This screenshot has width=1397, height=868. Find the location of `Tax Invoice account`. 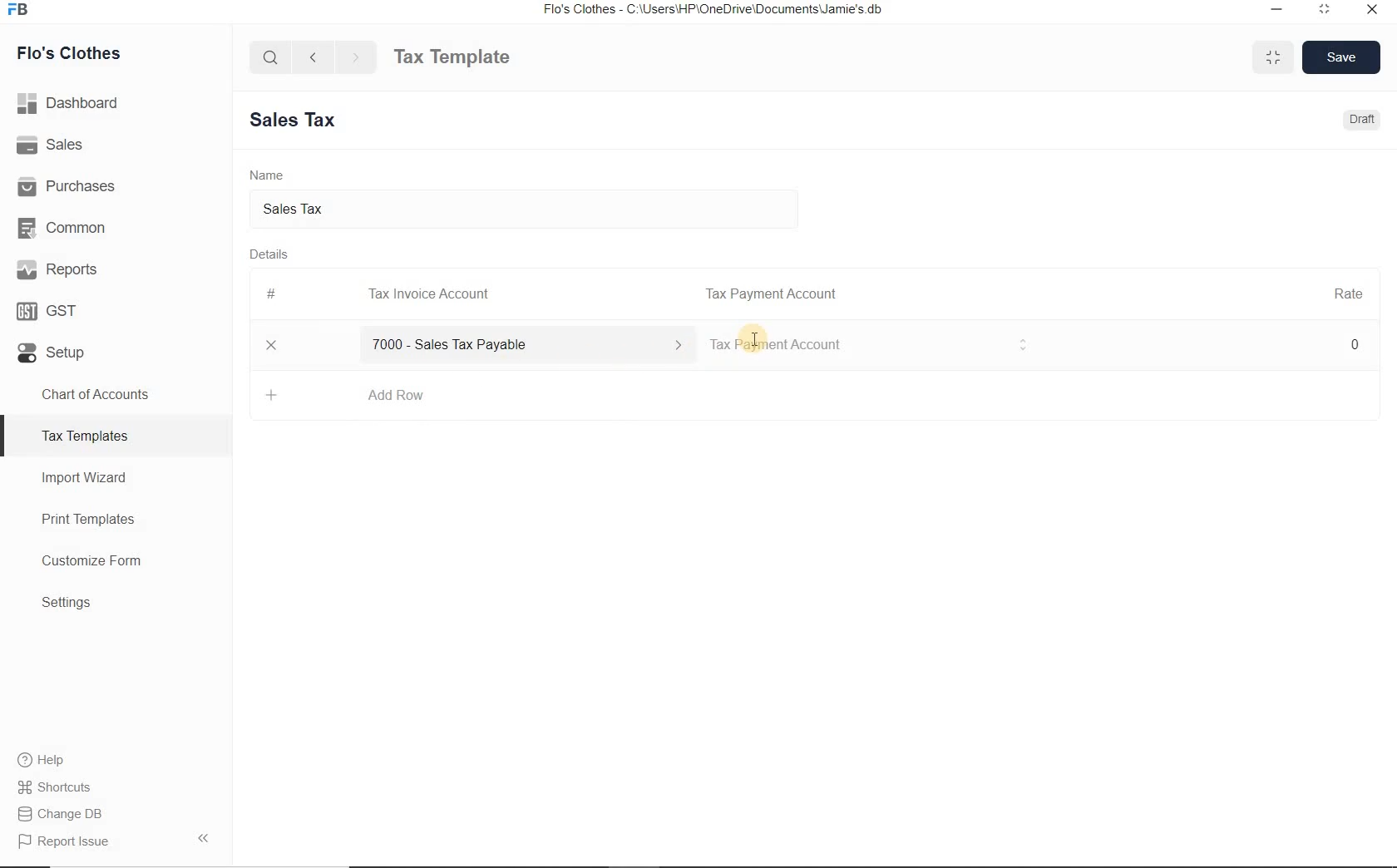

Tax Invoice account is located at coordinates (868, 346).